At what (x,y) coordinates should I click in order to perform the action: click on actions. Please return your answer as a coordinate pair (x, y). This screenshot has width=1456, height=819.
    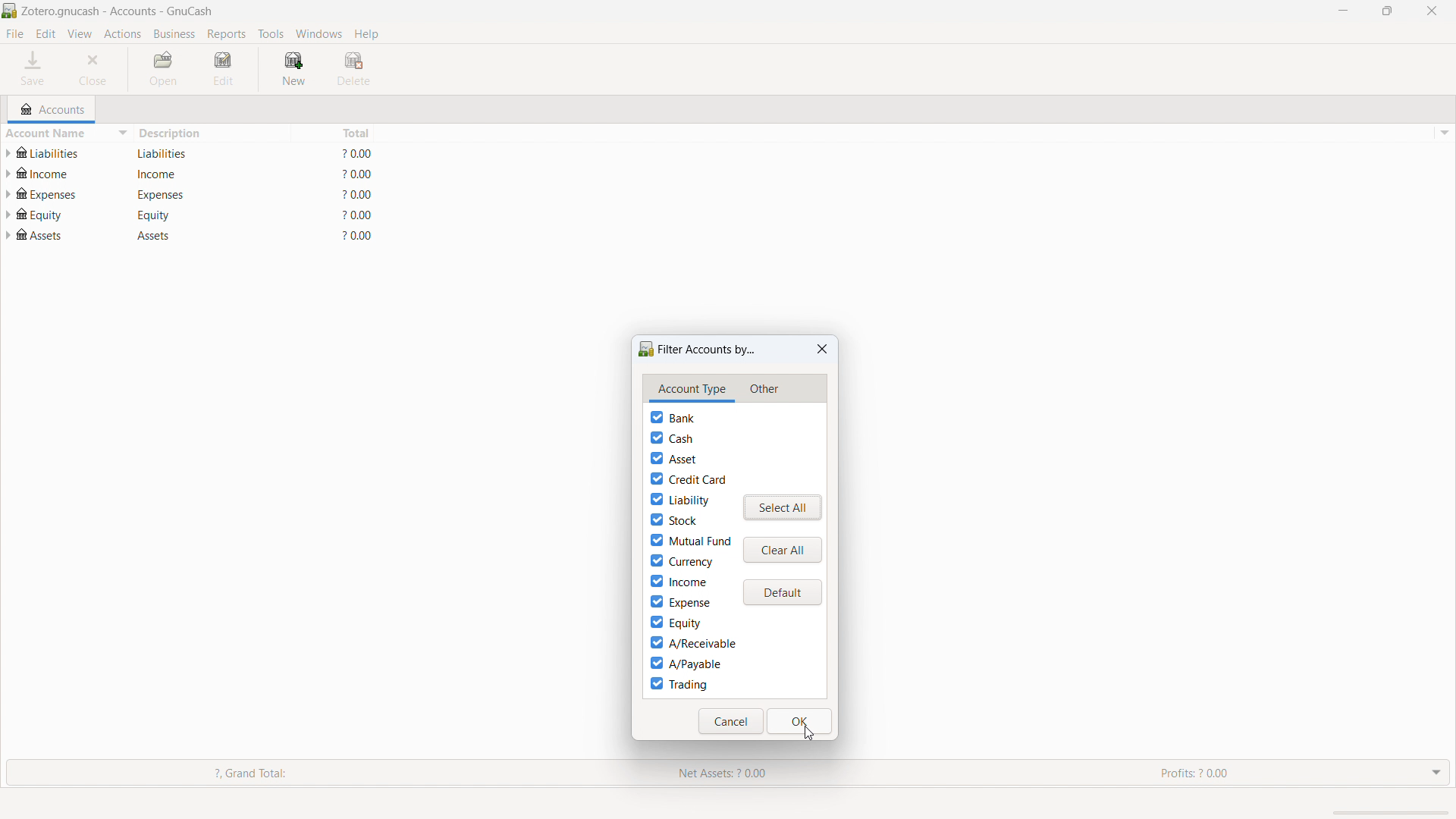
    Looking at the image, I should click on (122, 35).